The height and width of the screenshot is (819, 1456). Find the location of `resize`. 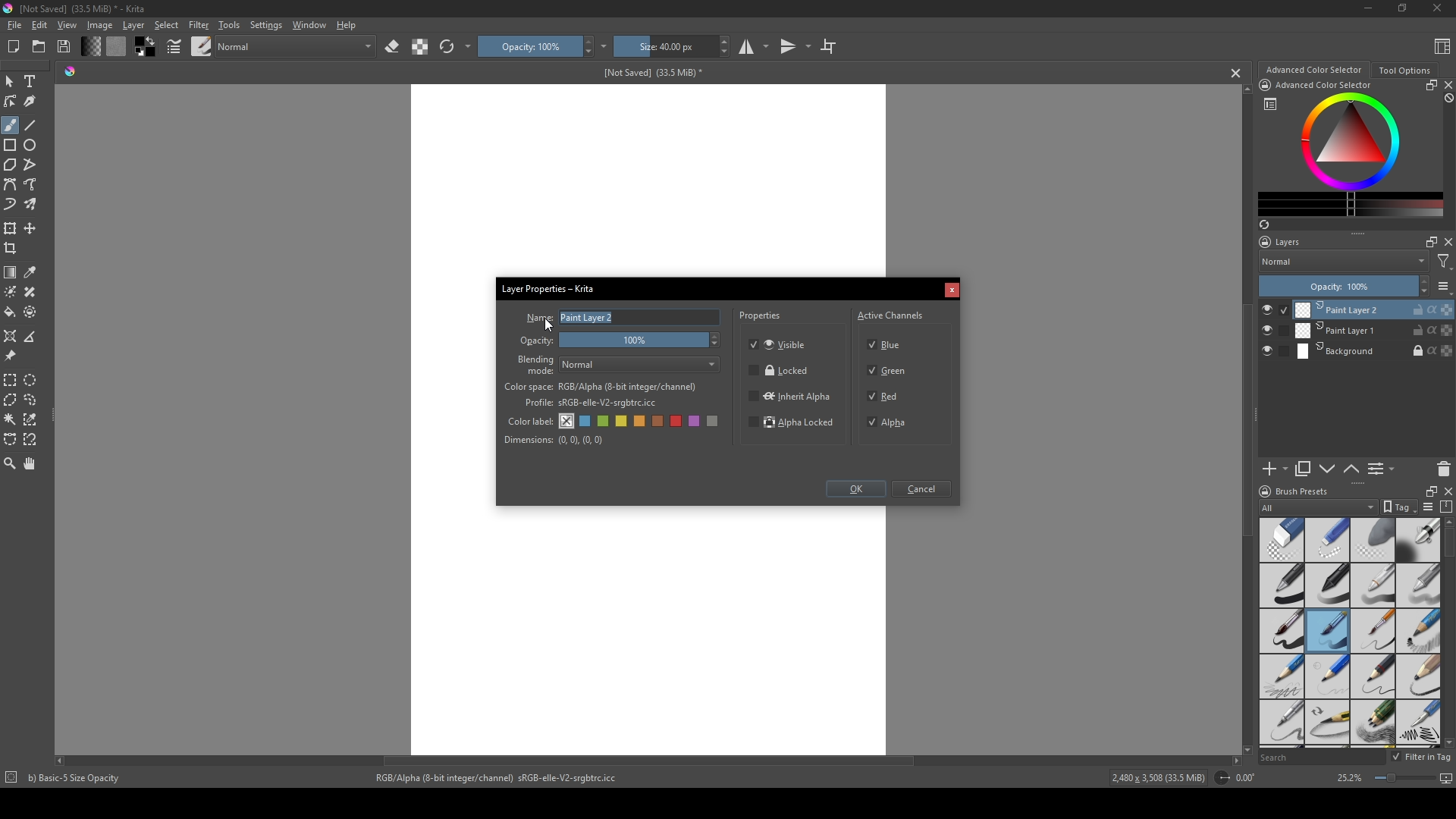

resize is located at coordinates (1401, 9).